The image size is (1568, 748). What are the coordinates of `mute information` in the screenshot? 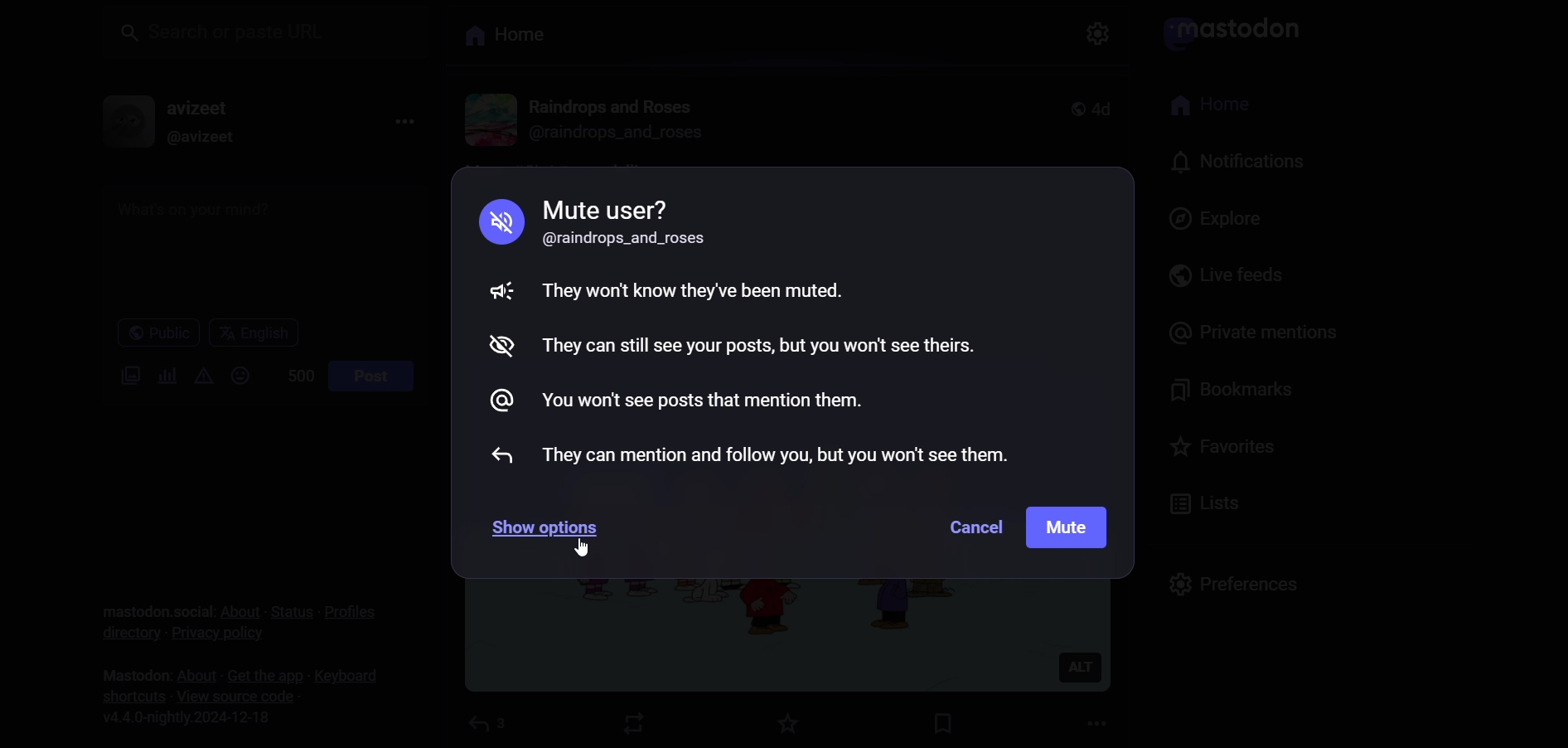 It's located at (757, 331).